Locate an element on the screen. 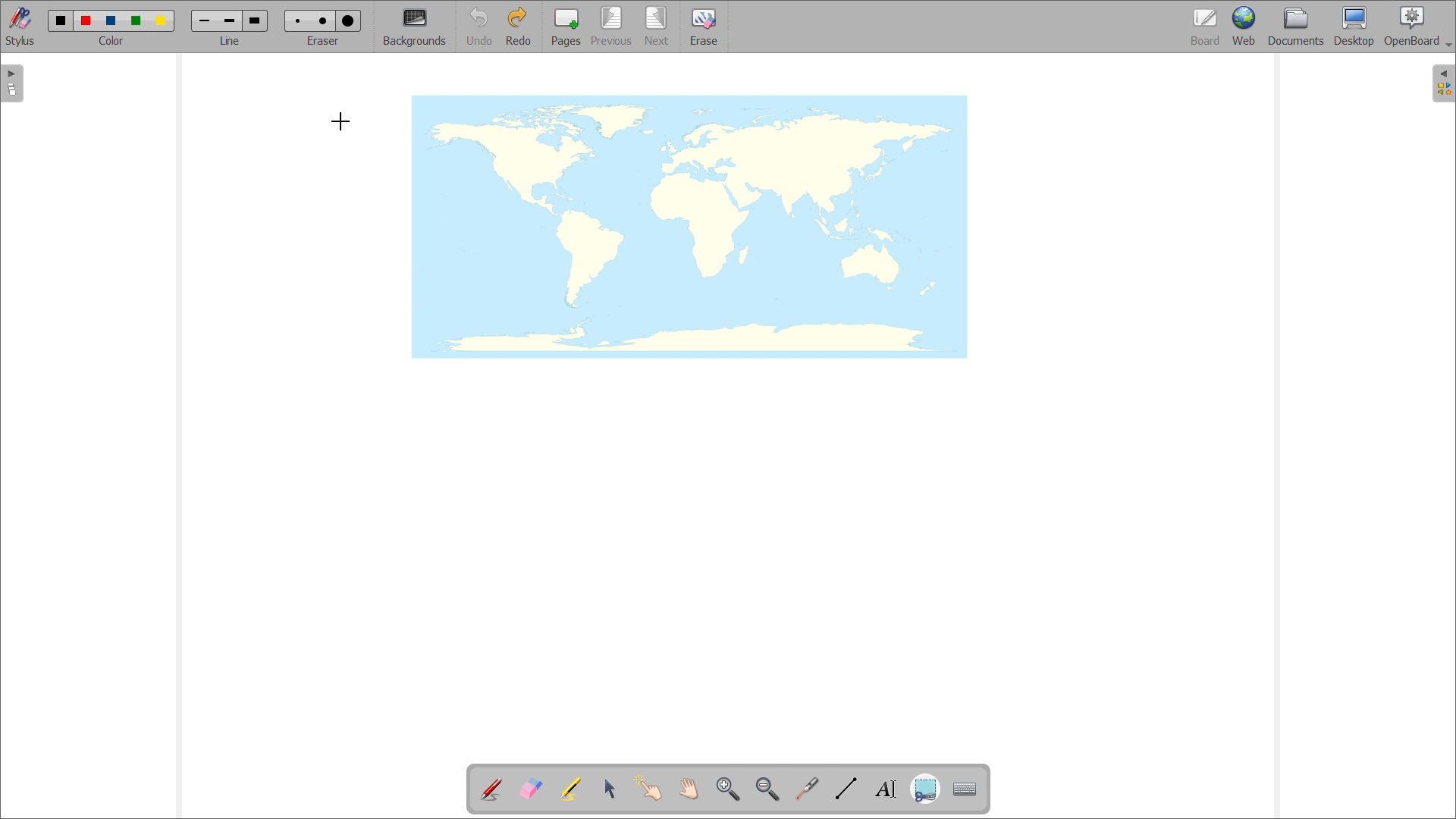 This screenshot has height=819, width=1456. open pages view is located at coordinates (12, 83).